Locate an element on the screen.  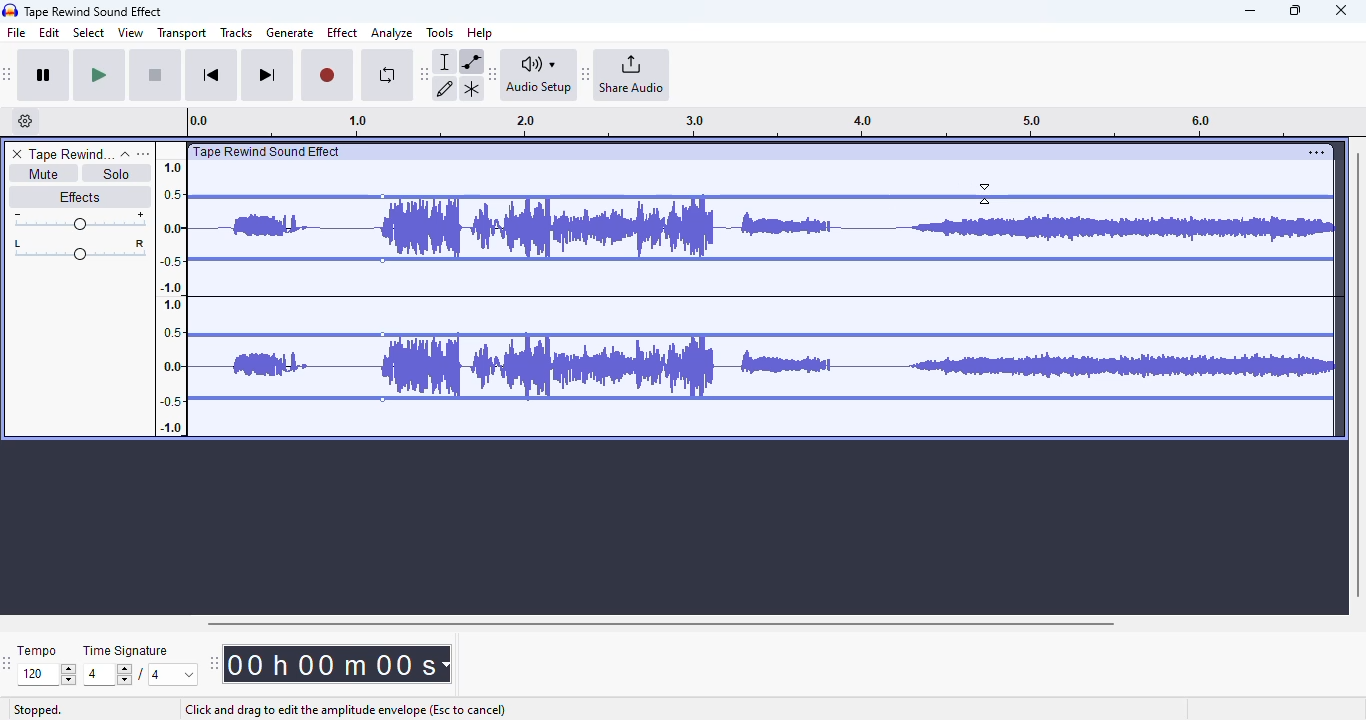
tracks is located at coordinates (236, 34).